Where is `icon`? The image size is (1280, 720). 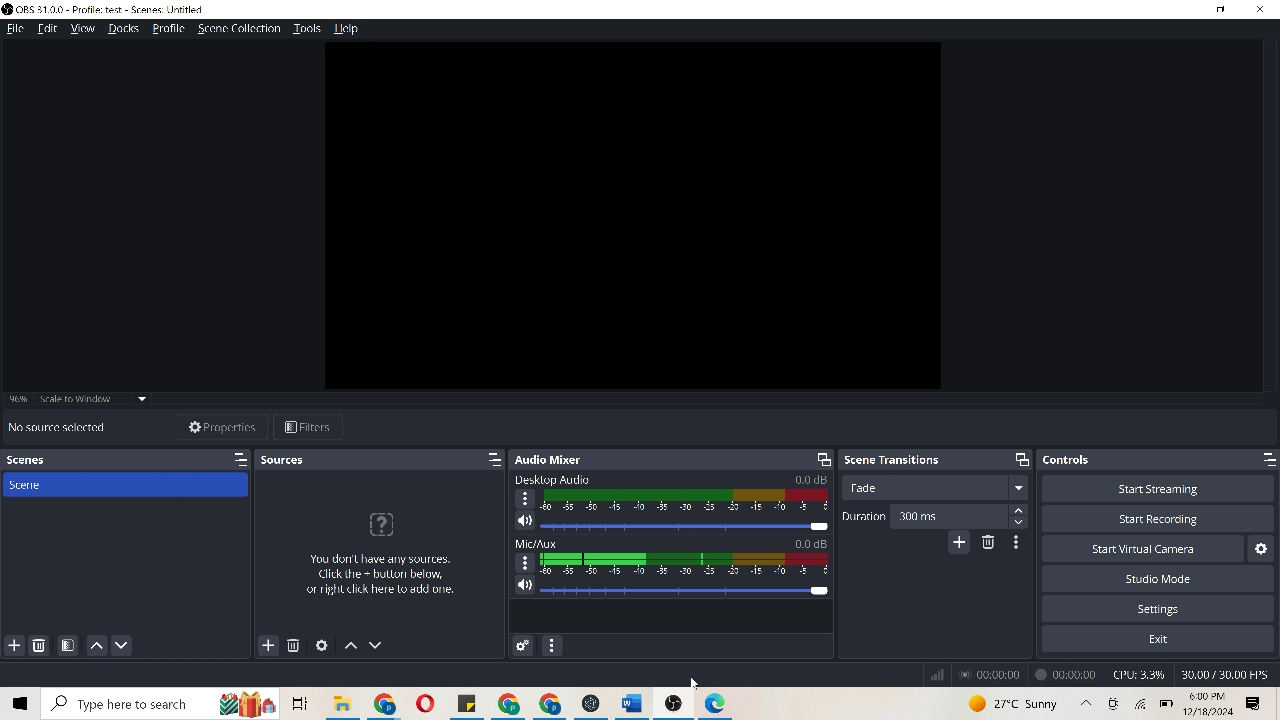 icon is located at coordinates (382, 526).